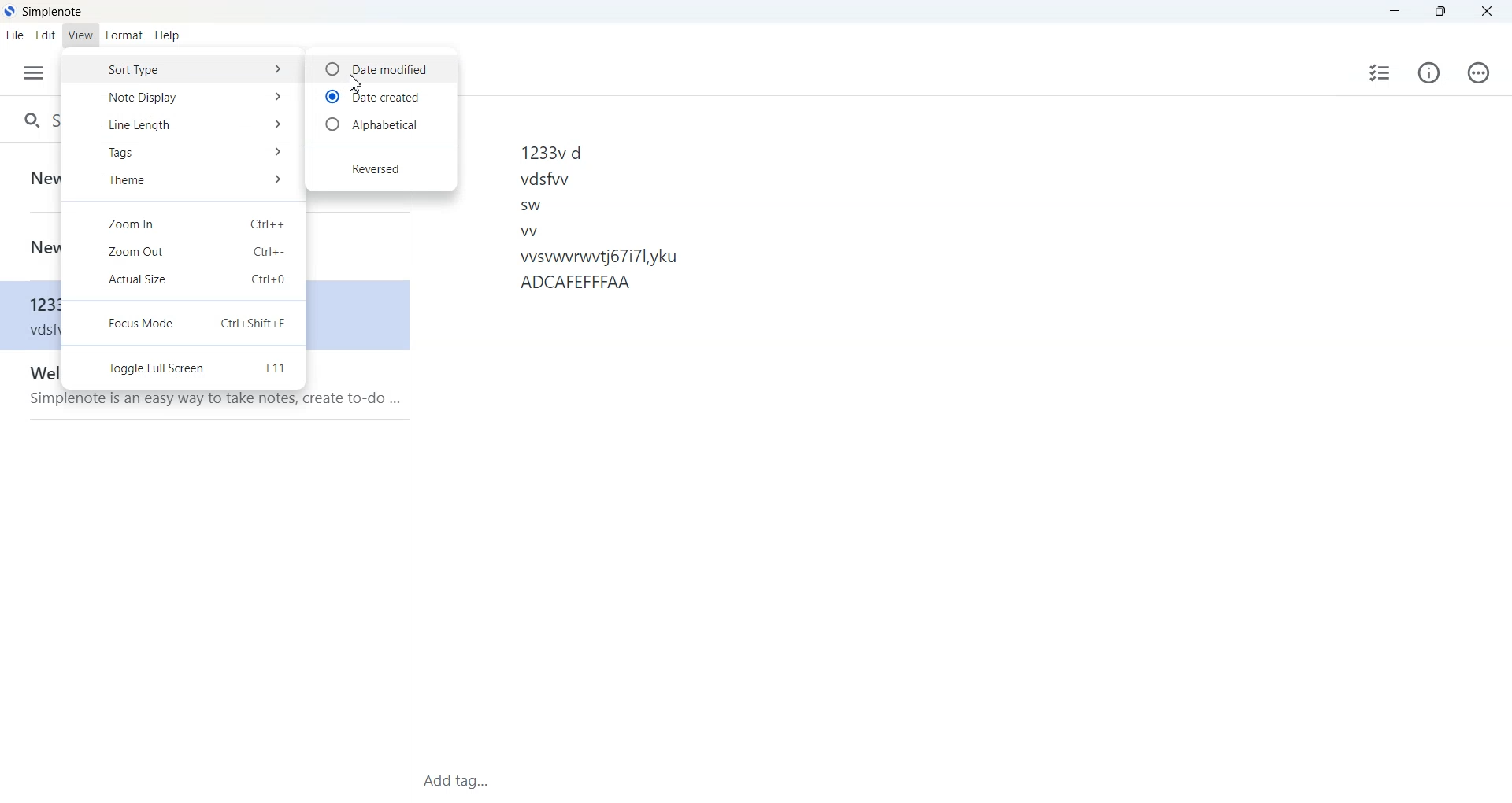 This screenshot has width=1512, height=803. Describe the element at coordinates (184, 323) in the screenshot. I see `Focus Mode` at that location.